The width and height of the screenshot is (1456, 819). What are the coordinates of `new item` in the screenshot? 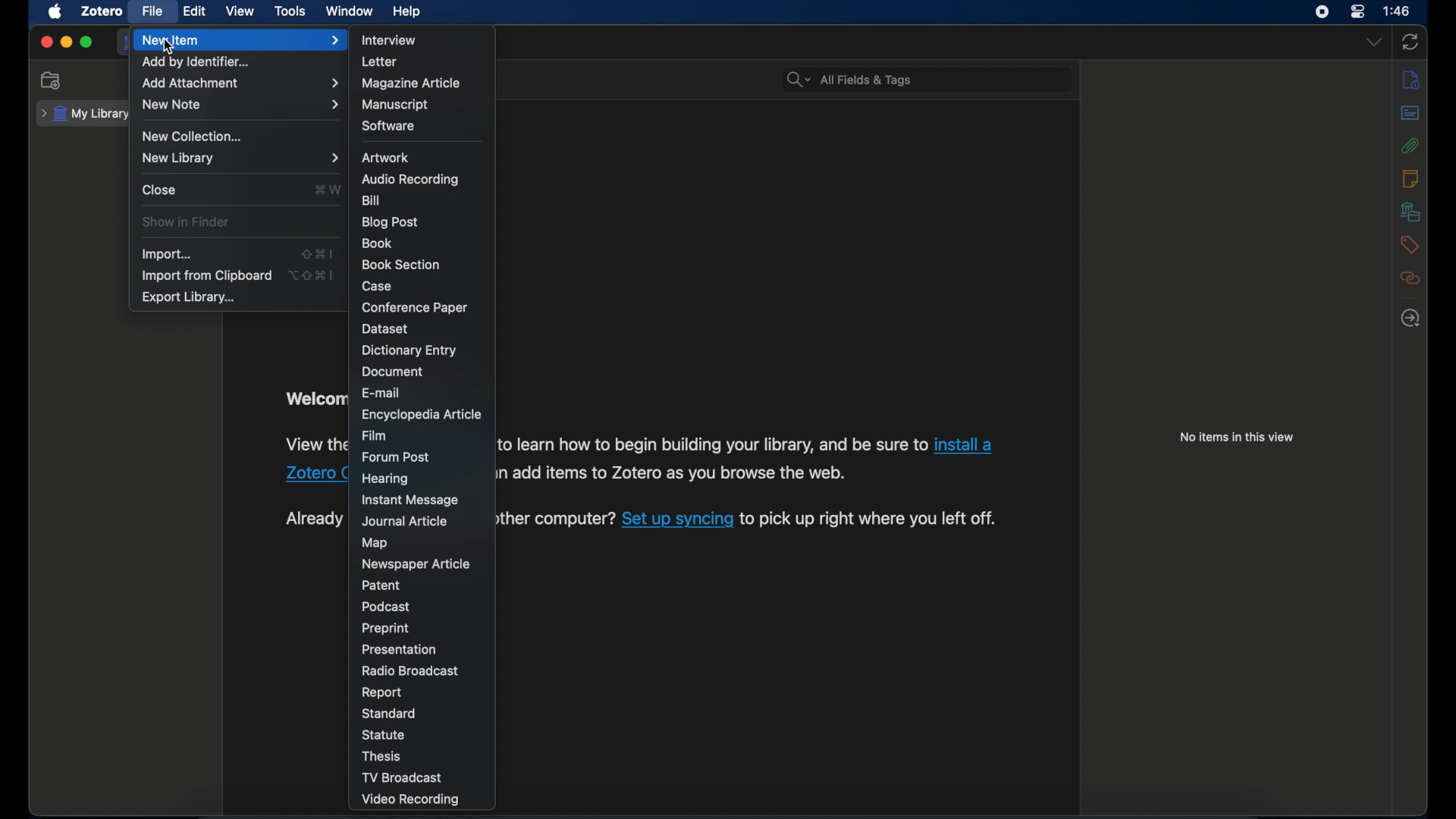 It's located at (240, 40).